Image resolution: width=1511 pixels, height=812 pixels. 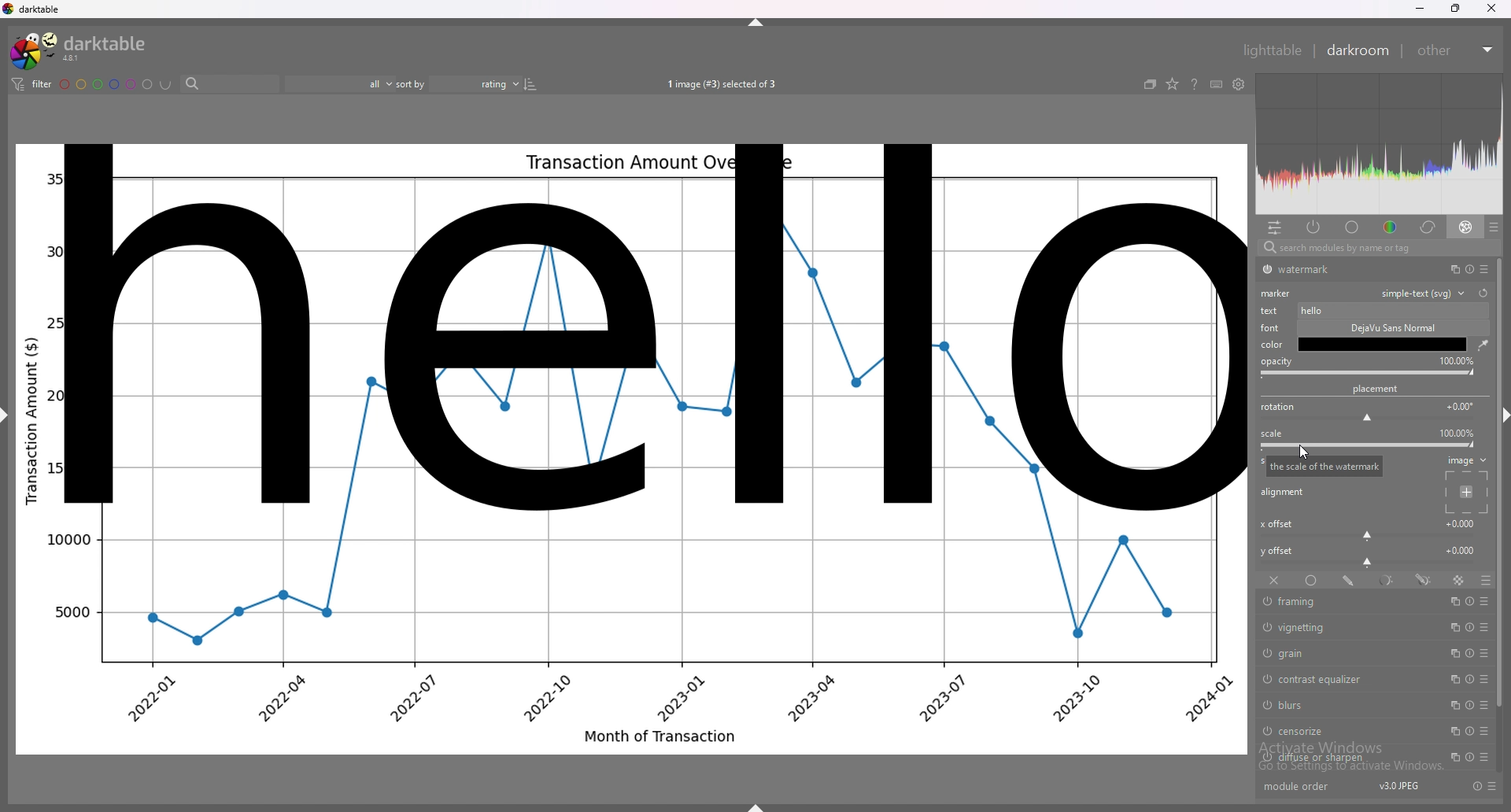 What do you see at coordinates (1466, 756) in the screenshot?
I see `reset` at bounding box center [1466, 756].